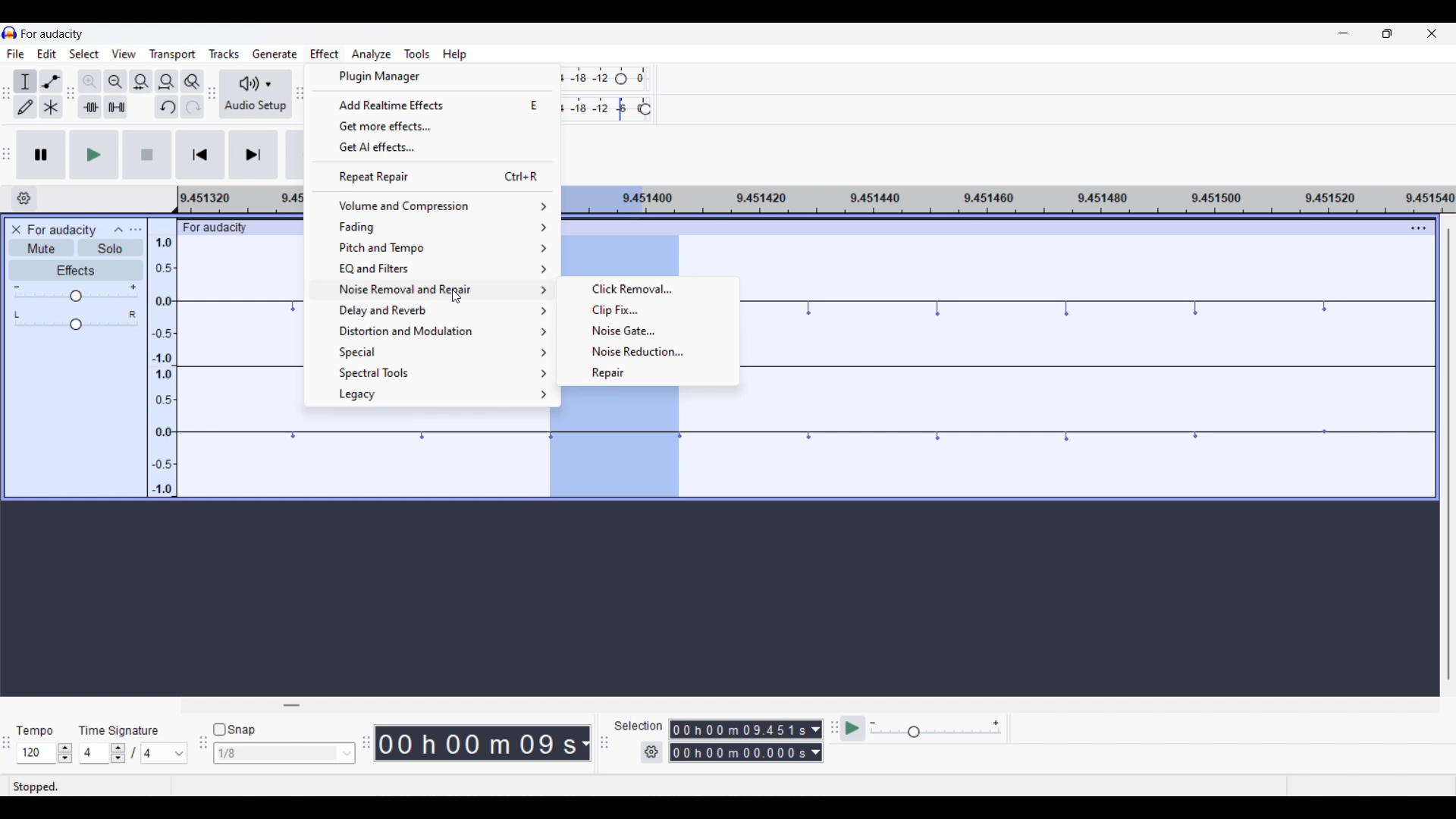 The height and width of the screenshot is (819, 1456). What do you see at coordinates (193, 106) in the screenshot?
I see `Redo` at bounding box center [193, 106].